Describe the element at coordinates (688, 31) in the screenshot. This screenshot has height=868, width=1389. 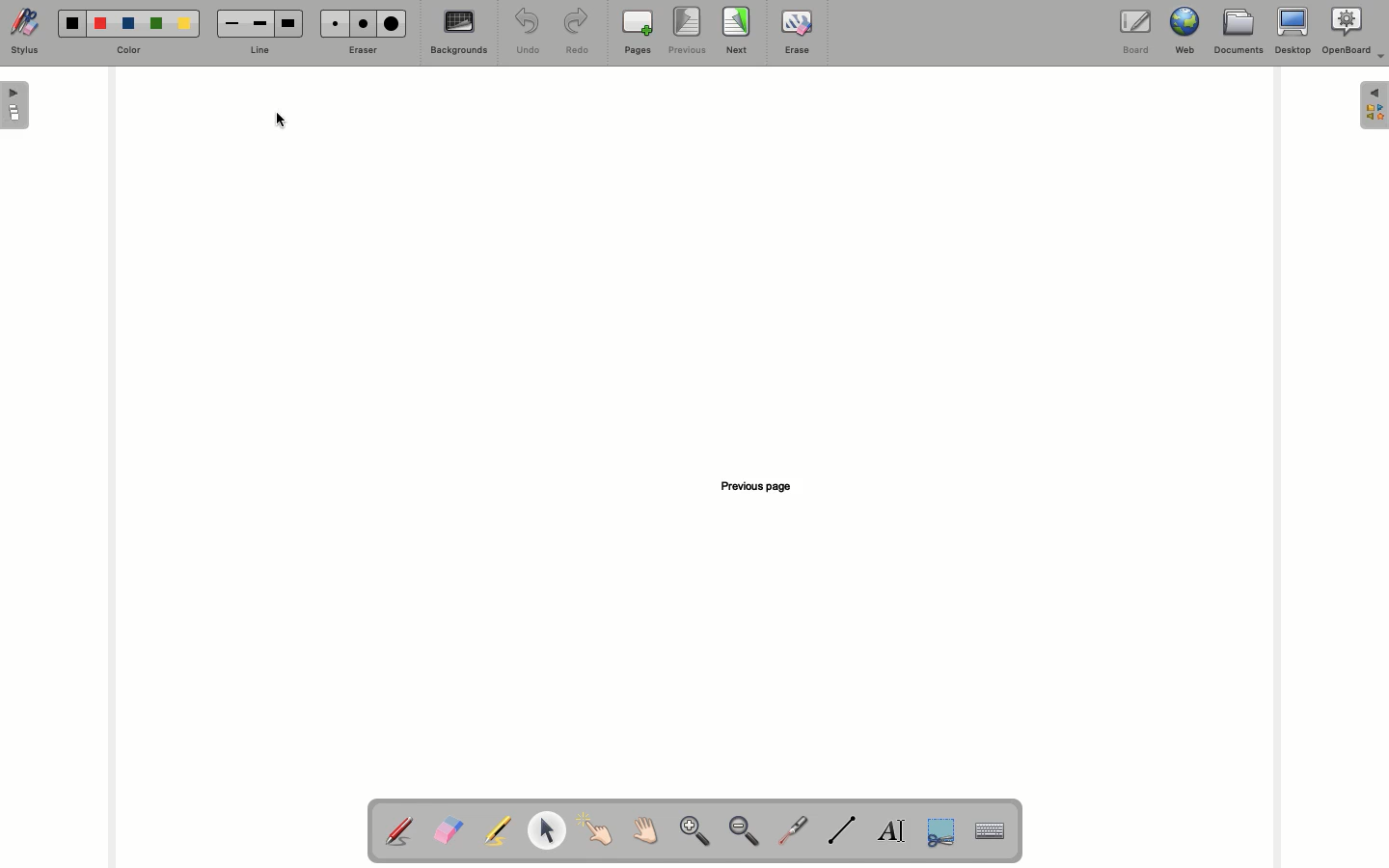
I see `Previous` at that location.